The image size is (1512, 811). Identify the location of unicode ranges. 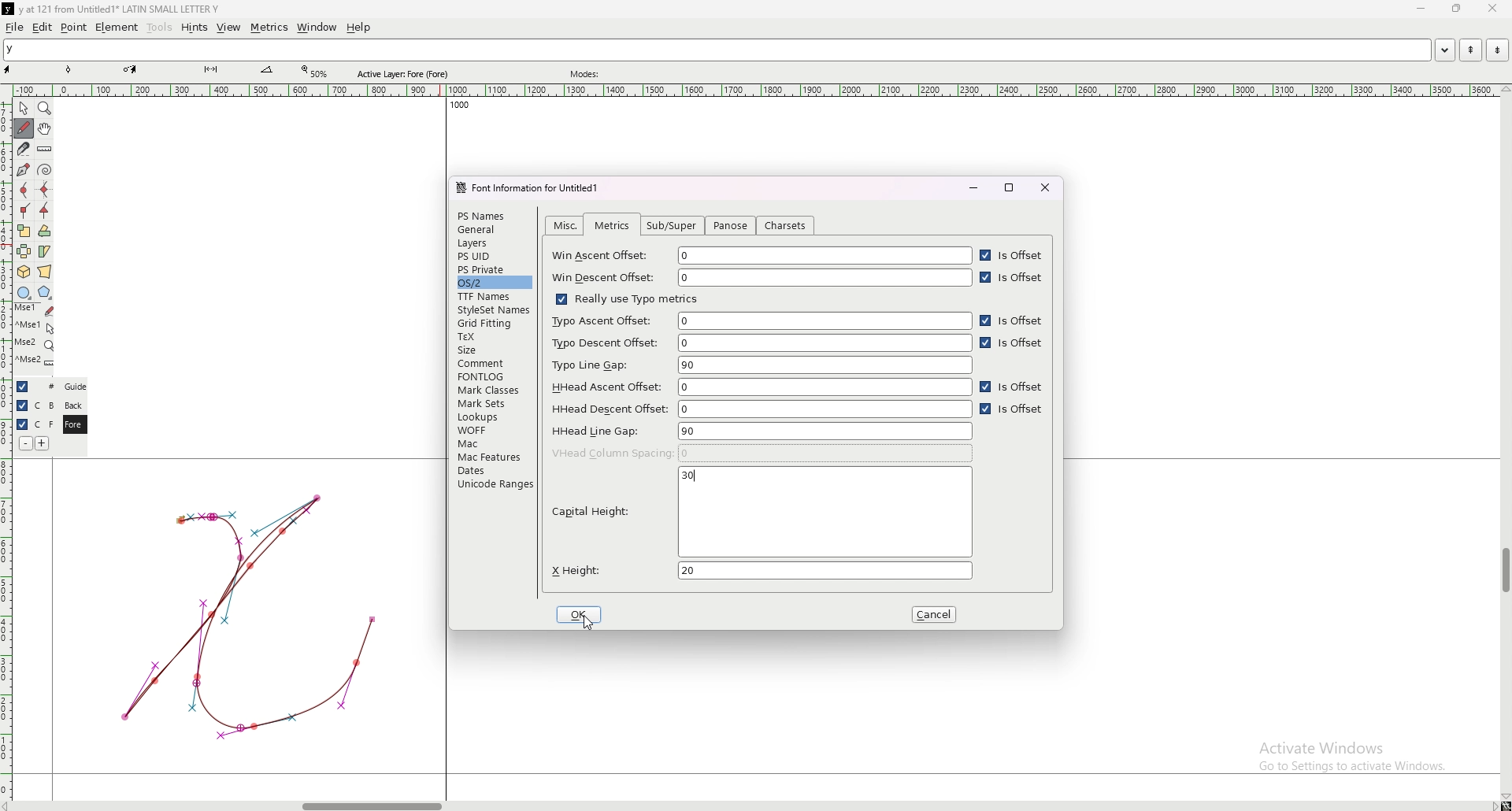
(494, 483).